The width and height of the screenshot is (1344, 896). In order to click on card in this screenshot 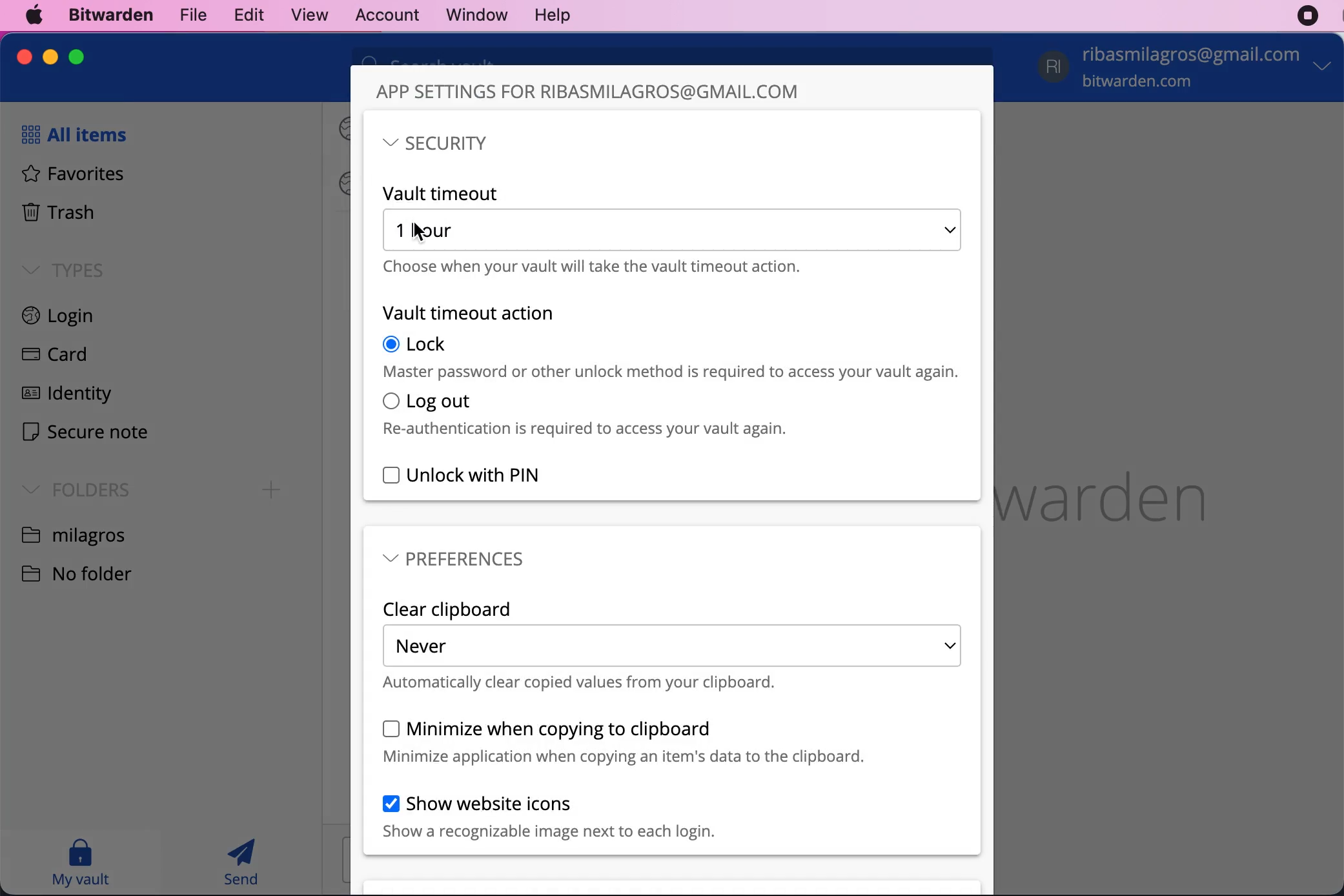, I will do `click(50, 356)`.